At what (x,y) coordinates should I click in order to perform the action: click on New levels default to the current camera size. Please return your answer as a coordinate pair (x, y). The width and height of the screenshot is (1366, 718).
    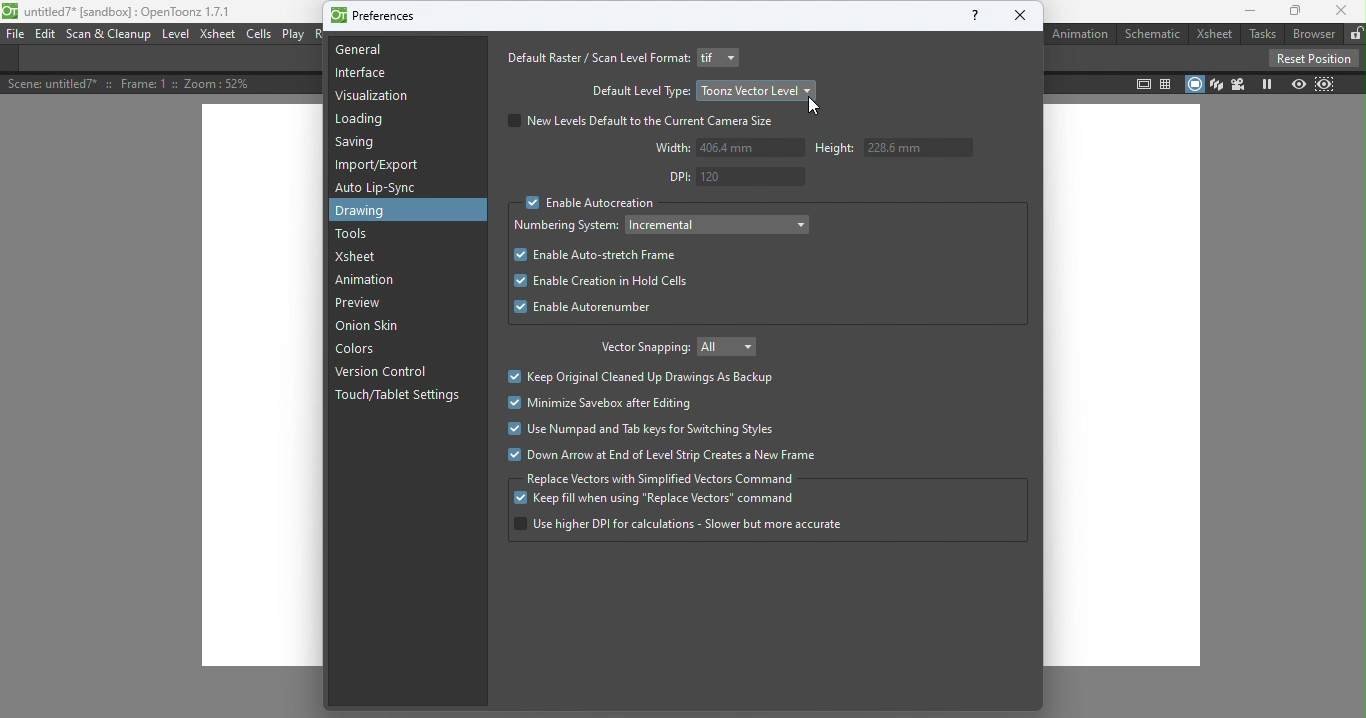
    Looking at the image, I should click on (646, 121).